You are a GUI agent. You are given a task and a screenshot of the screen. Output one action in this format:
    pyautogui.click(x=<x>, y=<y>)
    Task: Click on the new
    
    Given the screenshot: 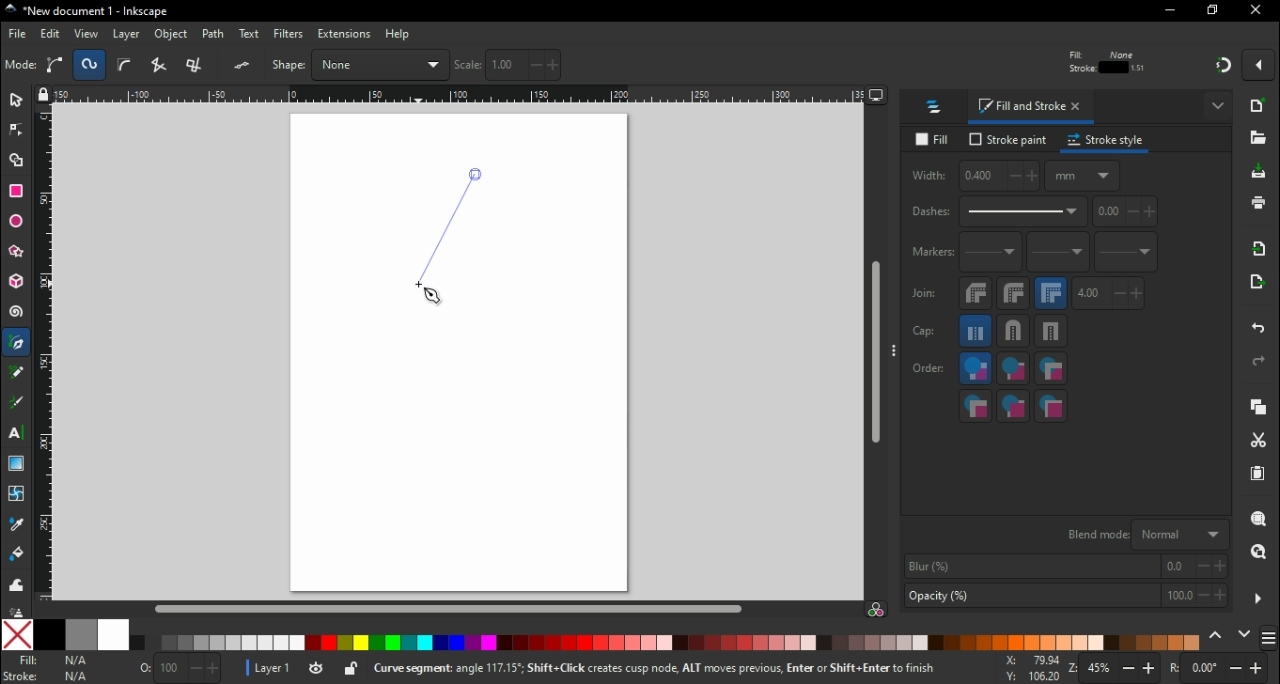 What is the action you would take?
    pyautogui.click(x=1263, y=110)
    